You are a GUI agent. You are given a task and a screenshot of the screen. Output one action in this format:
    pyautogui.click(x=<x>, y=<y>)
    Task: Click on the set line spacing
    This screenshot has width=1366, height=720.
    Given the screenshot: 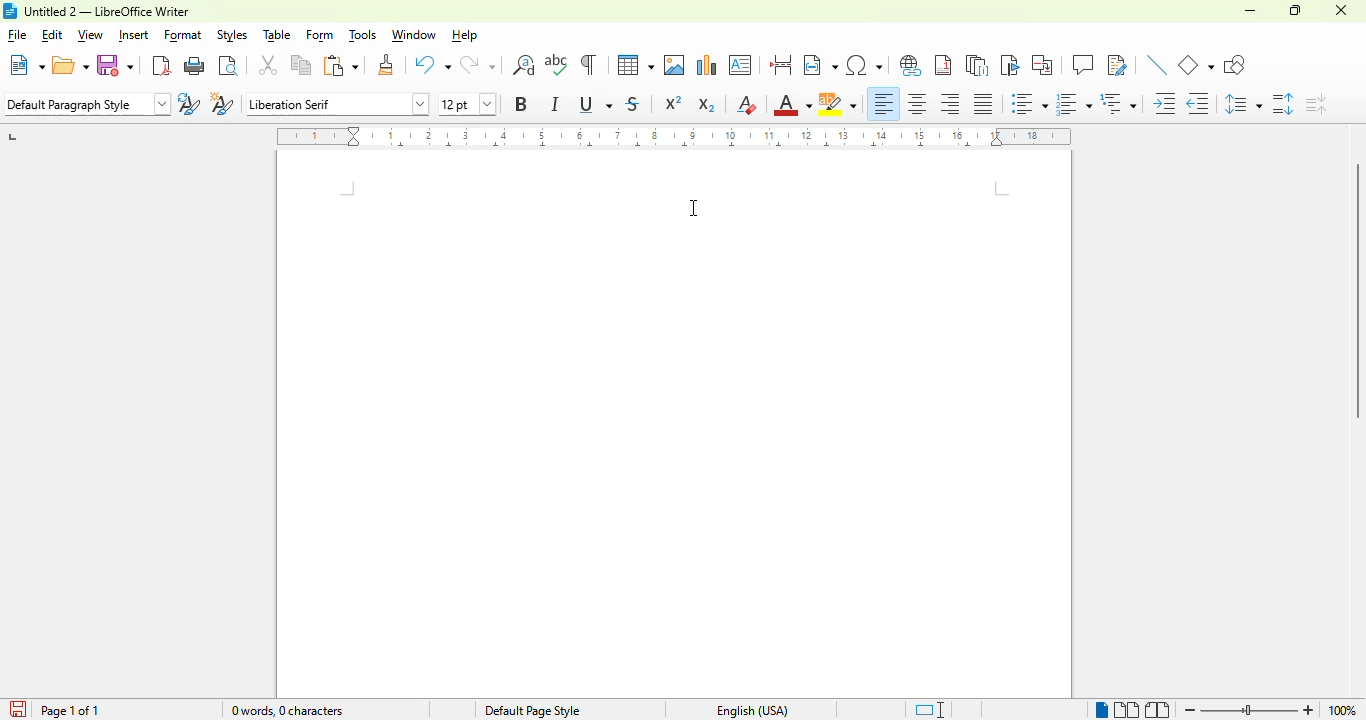 What is the action you would take?
    pyautogui.click(x=1243, y=103)
    